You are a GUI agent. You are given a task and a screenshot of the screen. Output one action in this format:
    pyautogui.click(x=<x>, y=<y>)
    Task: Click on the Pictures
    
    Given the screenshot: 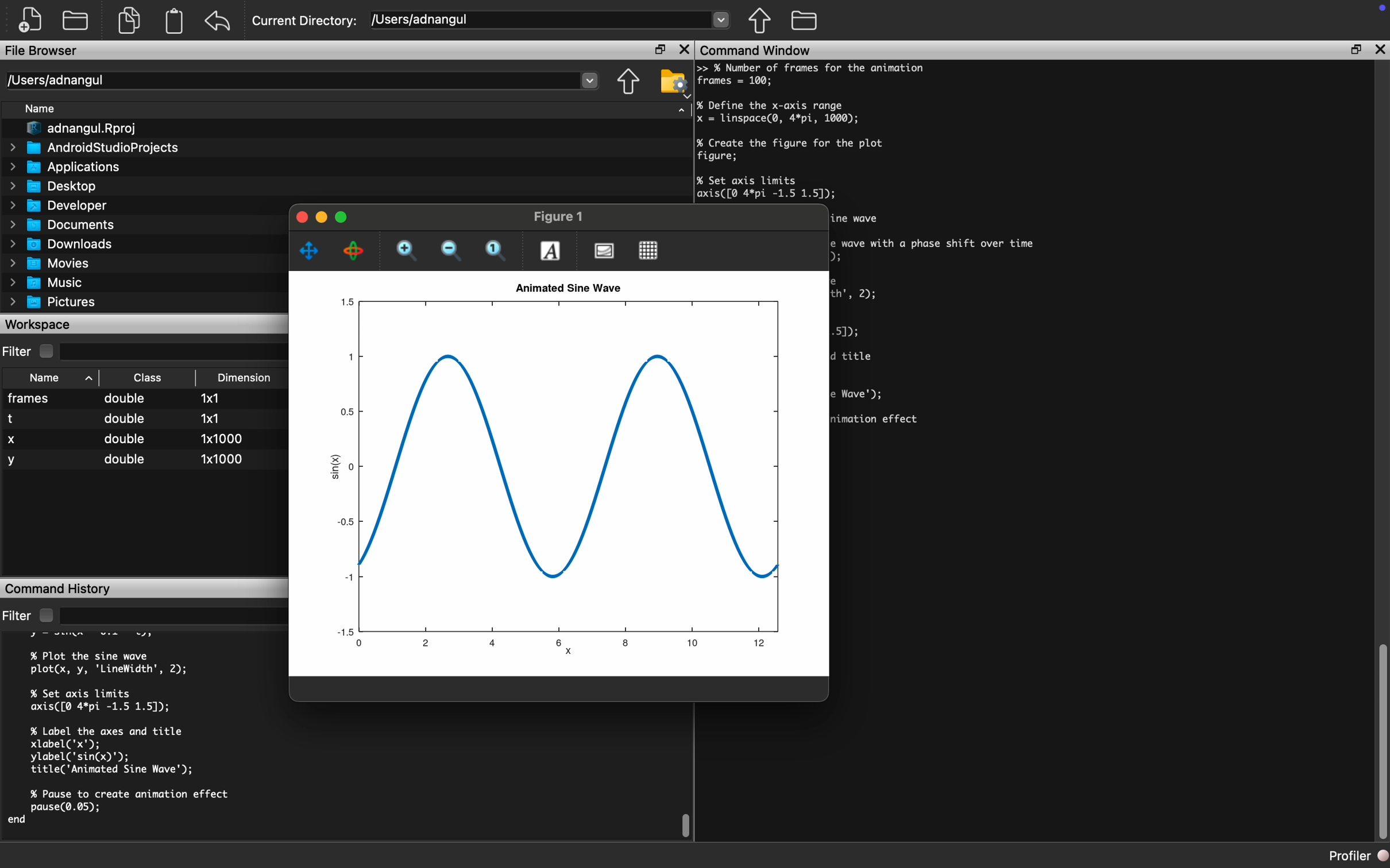 What is the action you would take?
    pyautogui.click(x=53, y=301)
    